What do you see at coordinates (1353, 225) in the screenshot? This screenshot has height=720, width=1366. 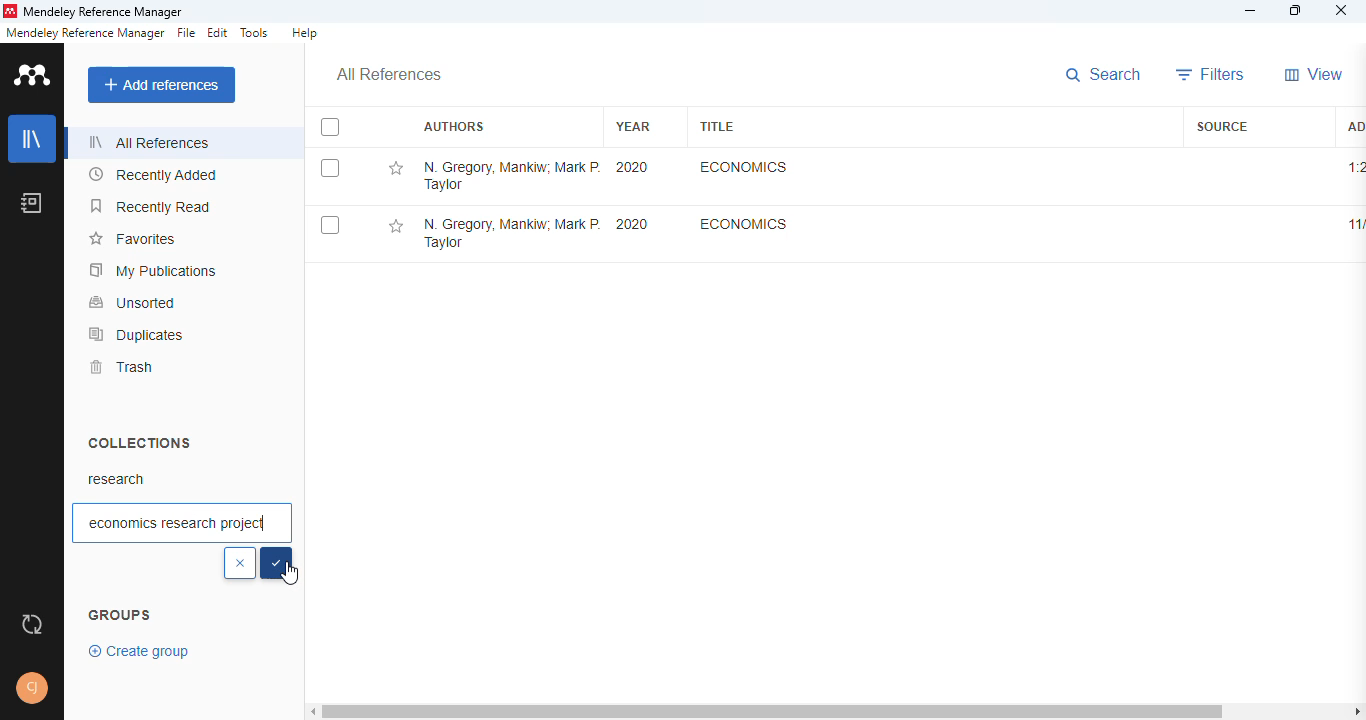 I see `11/` at bounding box center [1353, 225].